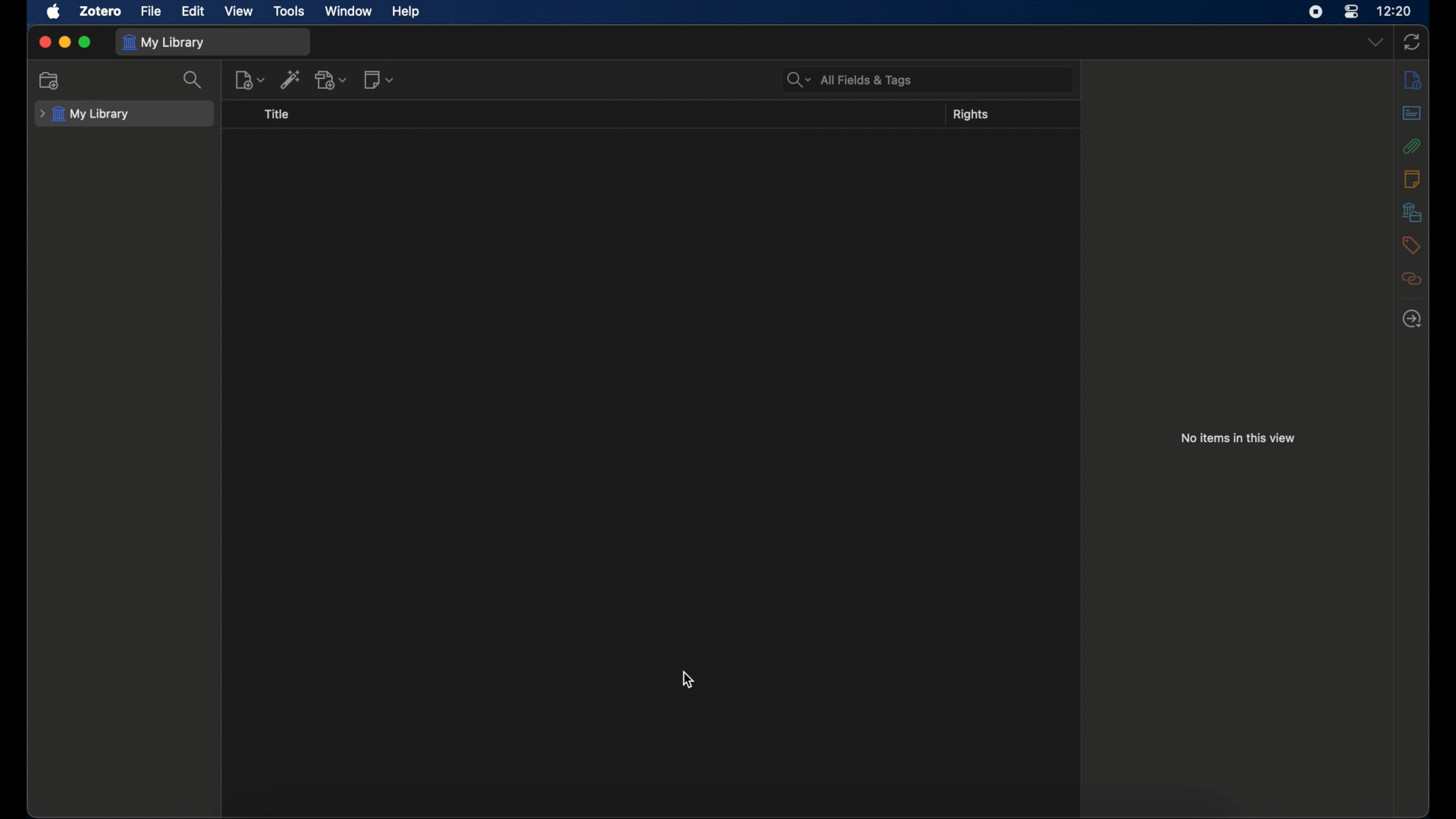  Describe the element at coordinates (65, 42) in the screenshot. I see `minimize` at that location.